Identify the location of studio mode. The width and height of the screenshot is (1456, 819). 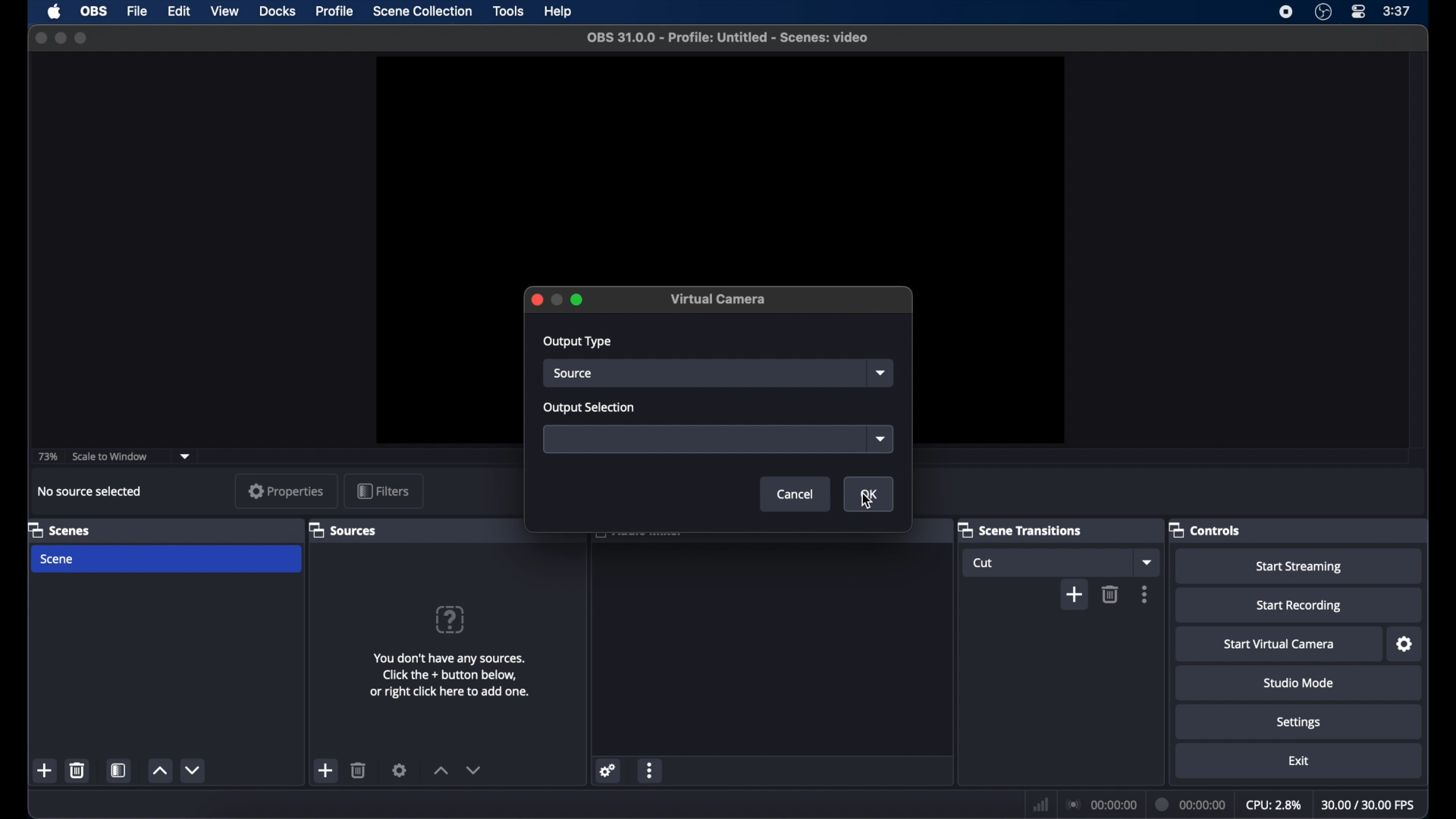
(1301, 683).